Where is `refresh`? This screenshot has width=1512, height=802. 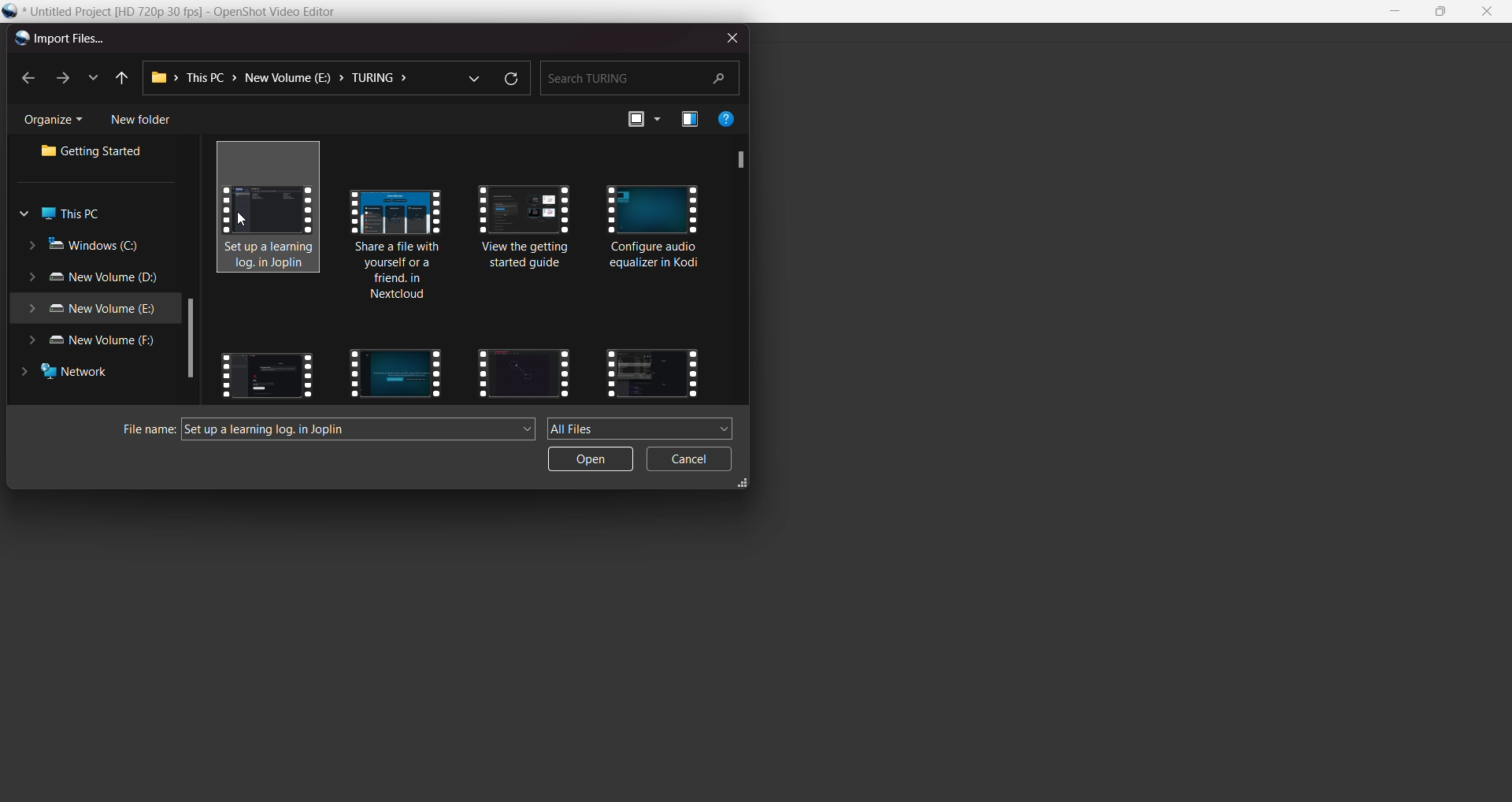 refresh is located at coordinates (510, 80).